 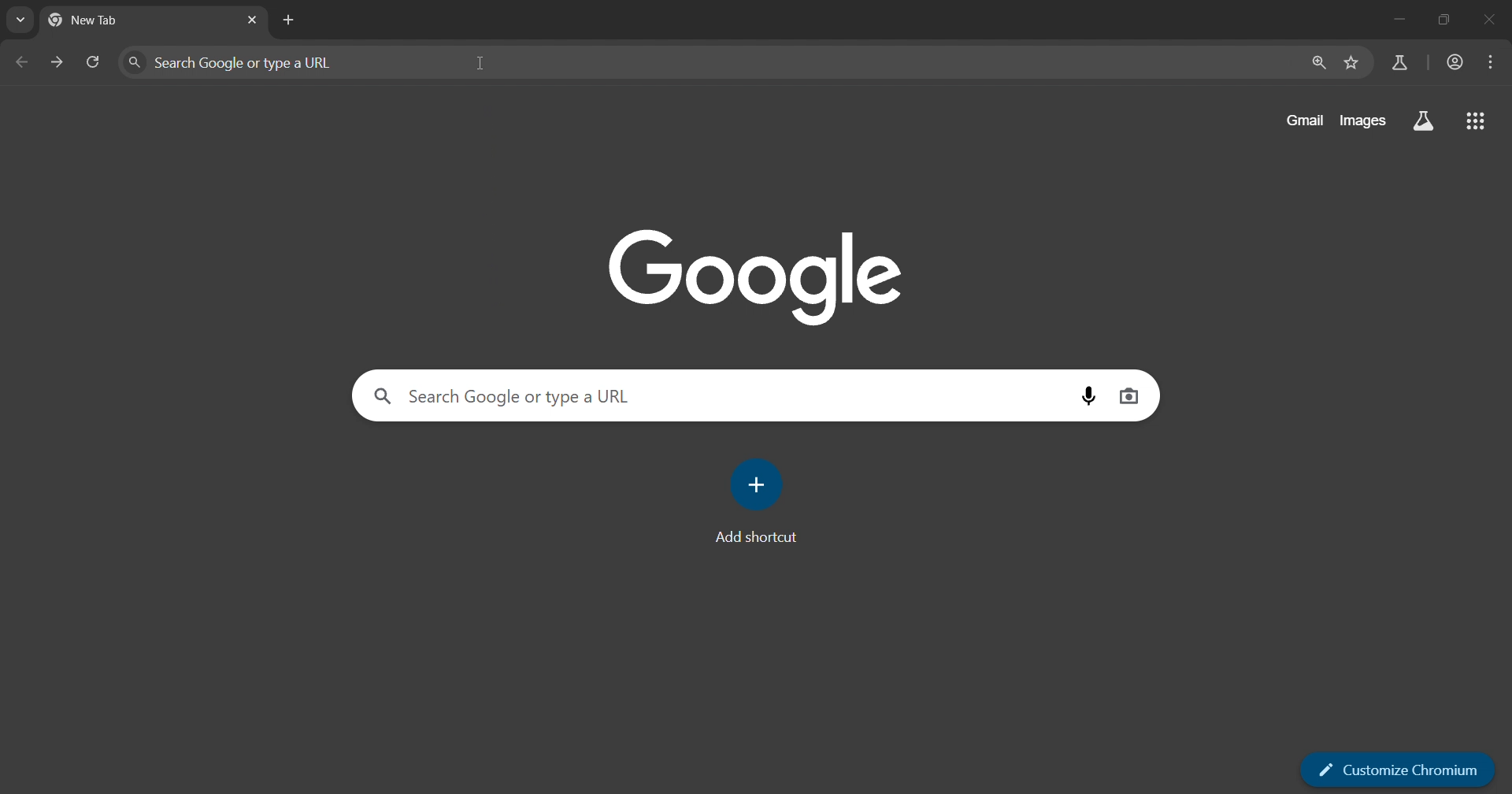 What do you see at coordinates (1362, 118) in the screenshot?
I see `images` at bounding box center [1362, 118].